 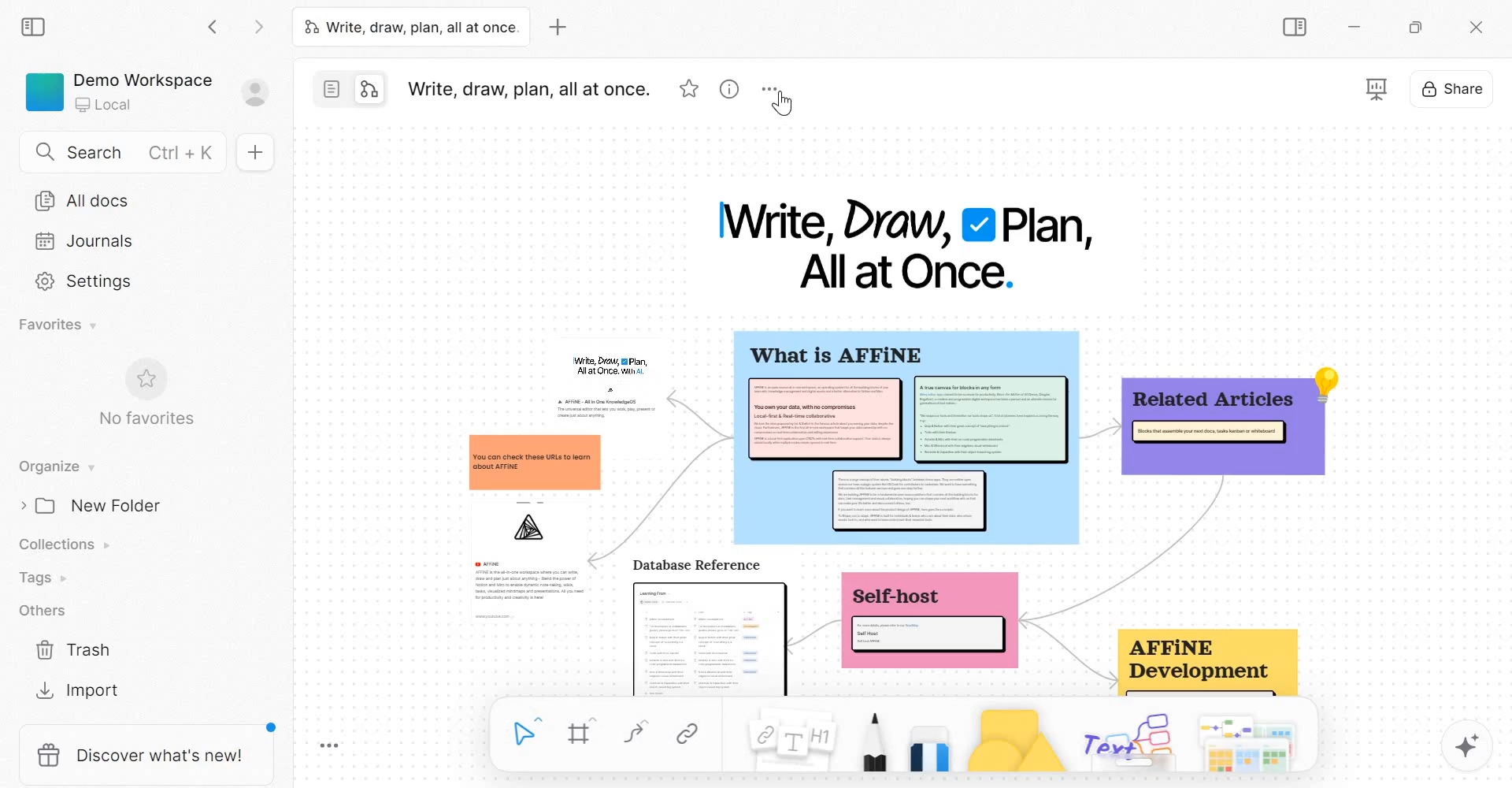 What do you see at coordinates (527, 731) in the screenshot?
I see `Select` at bounding box center [527, 731].